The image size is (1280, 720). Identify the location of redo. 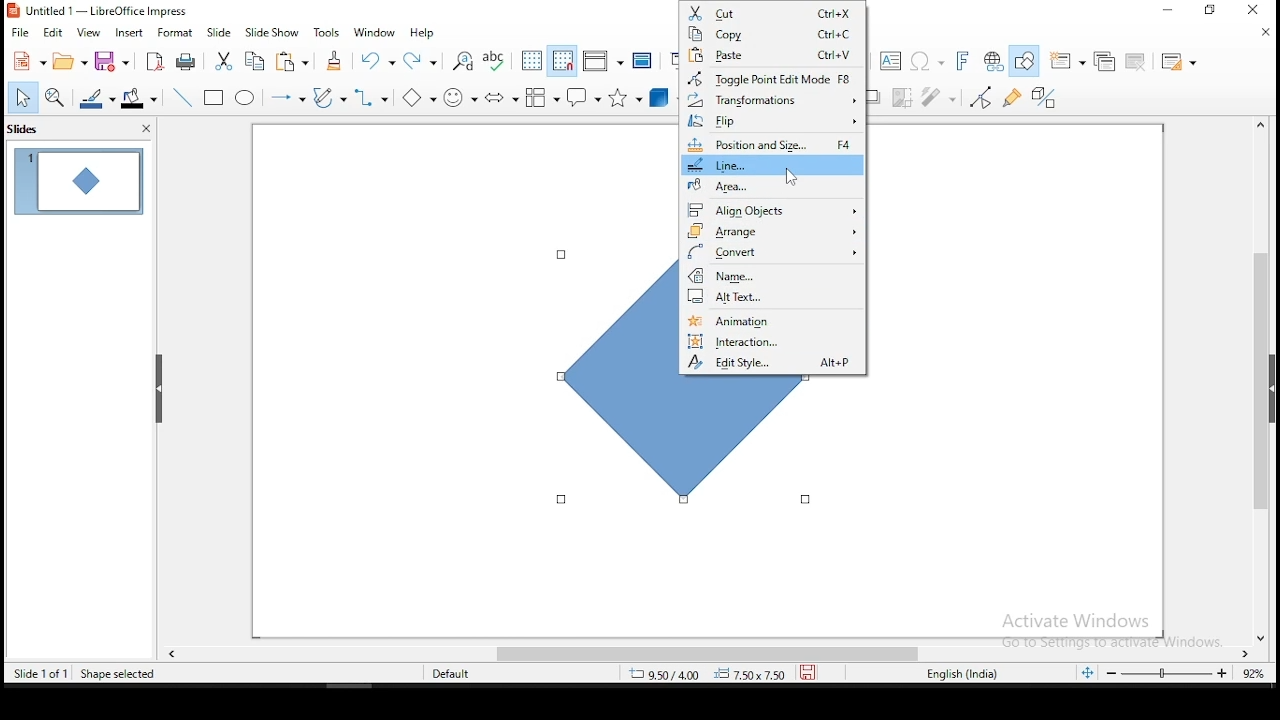
(423, 59).